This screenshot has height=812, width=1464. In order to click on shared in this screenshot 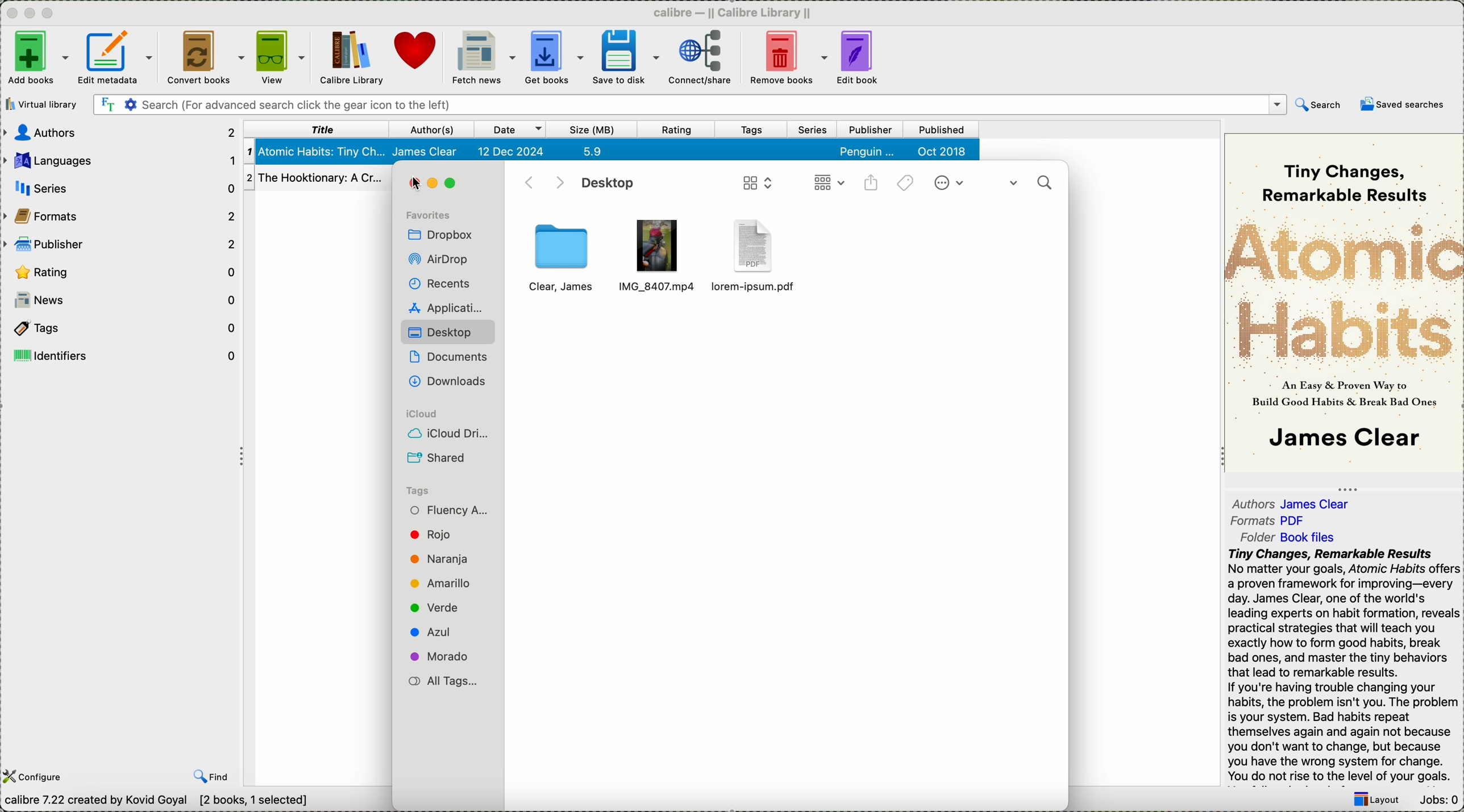, I will do `click(439, 457)`.